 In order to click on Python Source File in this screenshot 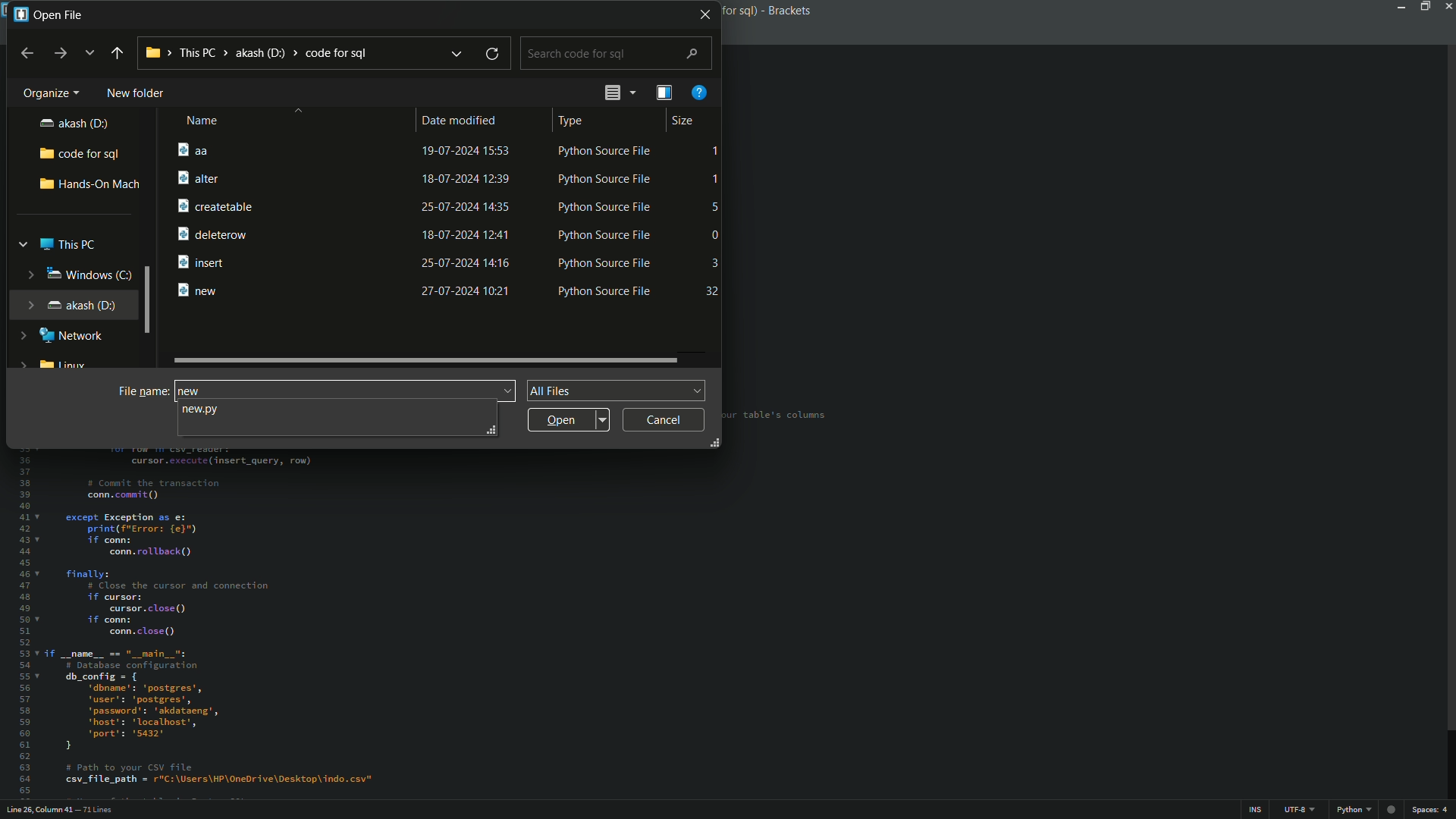, I will do `click(608, 262)`.